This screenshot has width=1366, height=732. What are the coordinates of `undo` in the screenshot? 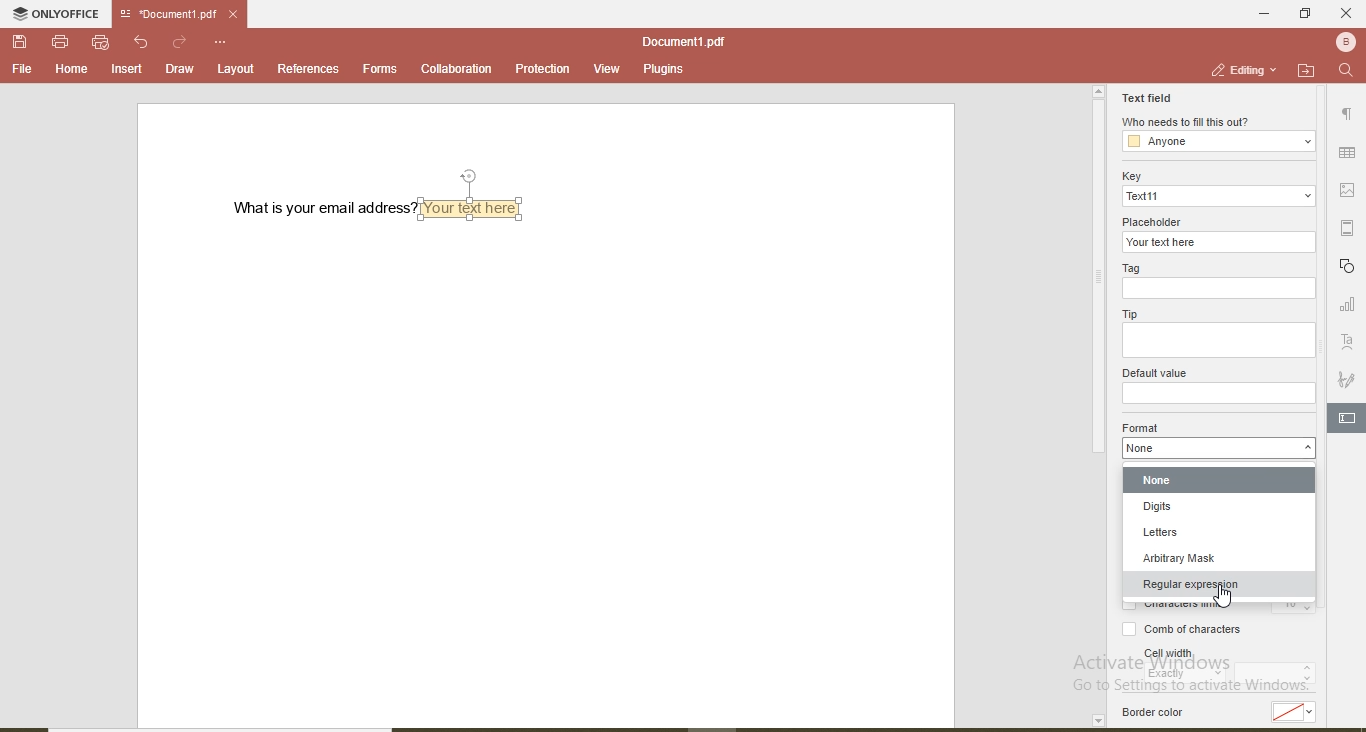 It's located at (144, 42).